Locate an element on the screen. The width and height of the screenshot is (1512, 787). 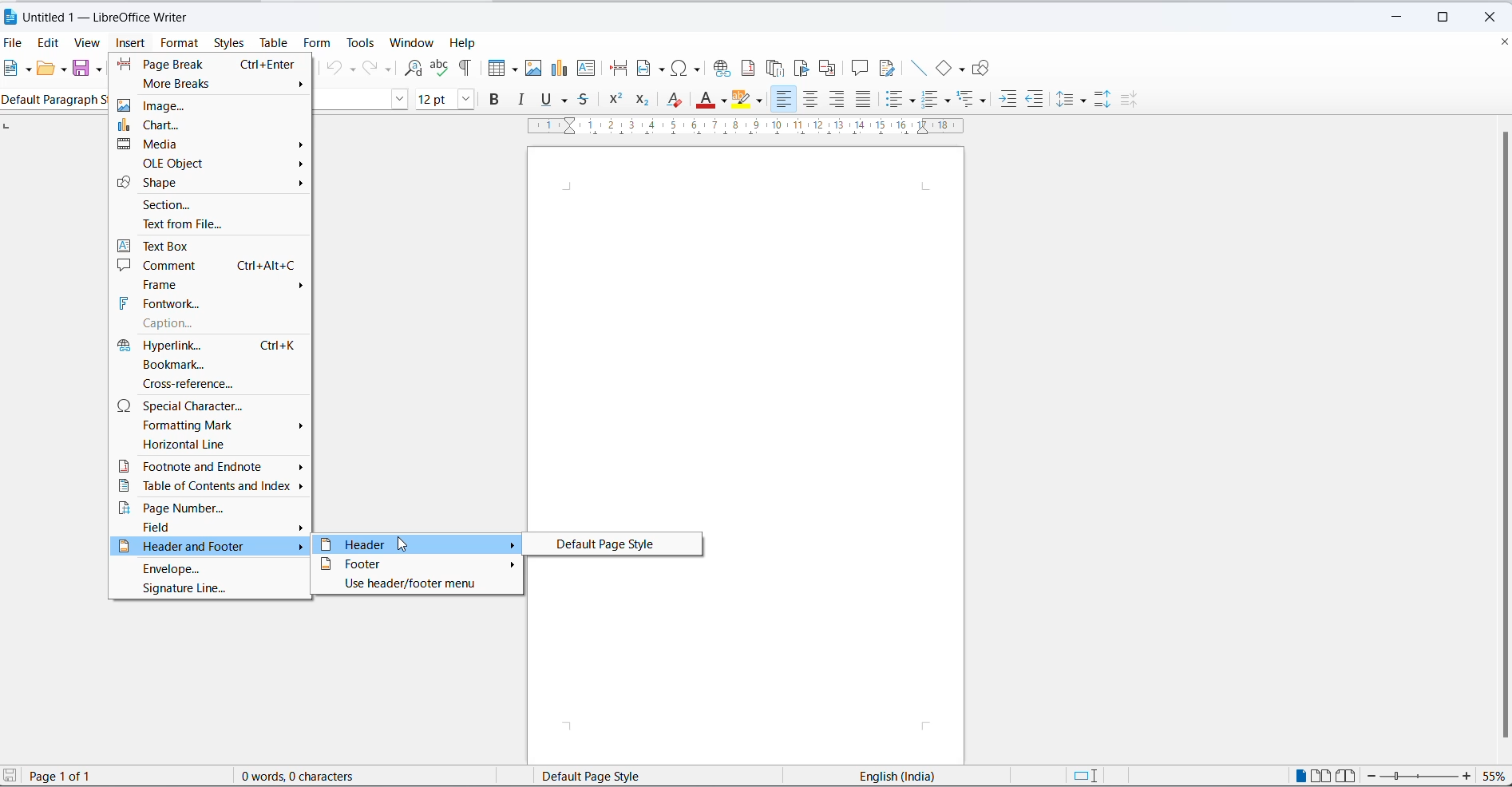
toggle ordered list options is located at coordinates (948, 100).